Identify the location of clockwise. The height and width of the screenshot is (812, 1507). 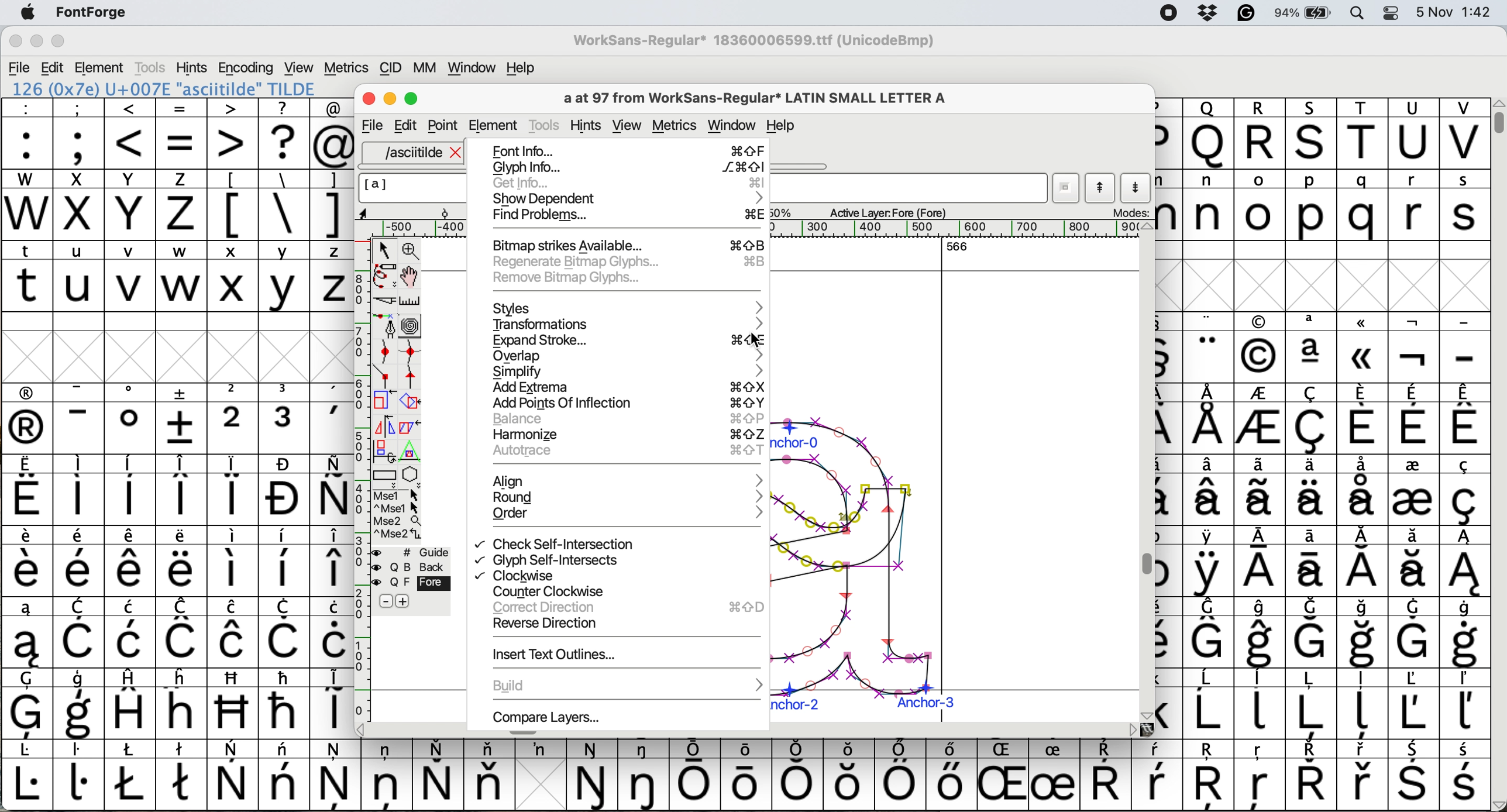
(517, 576).